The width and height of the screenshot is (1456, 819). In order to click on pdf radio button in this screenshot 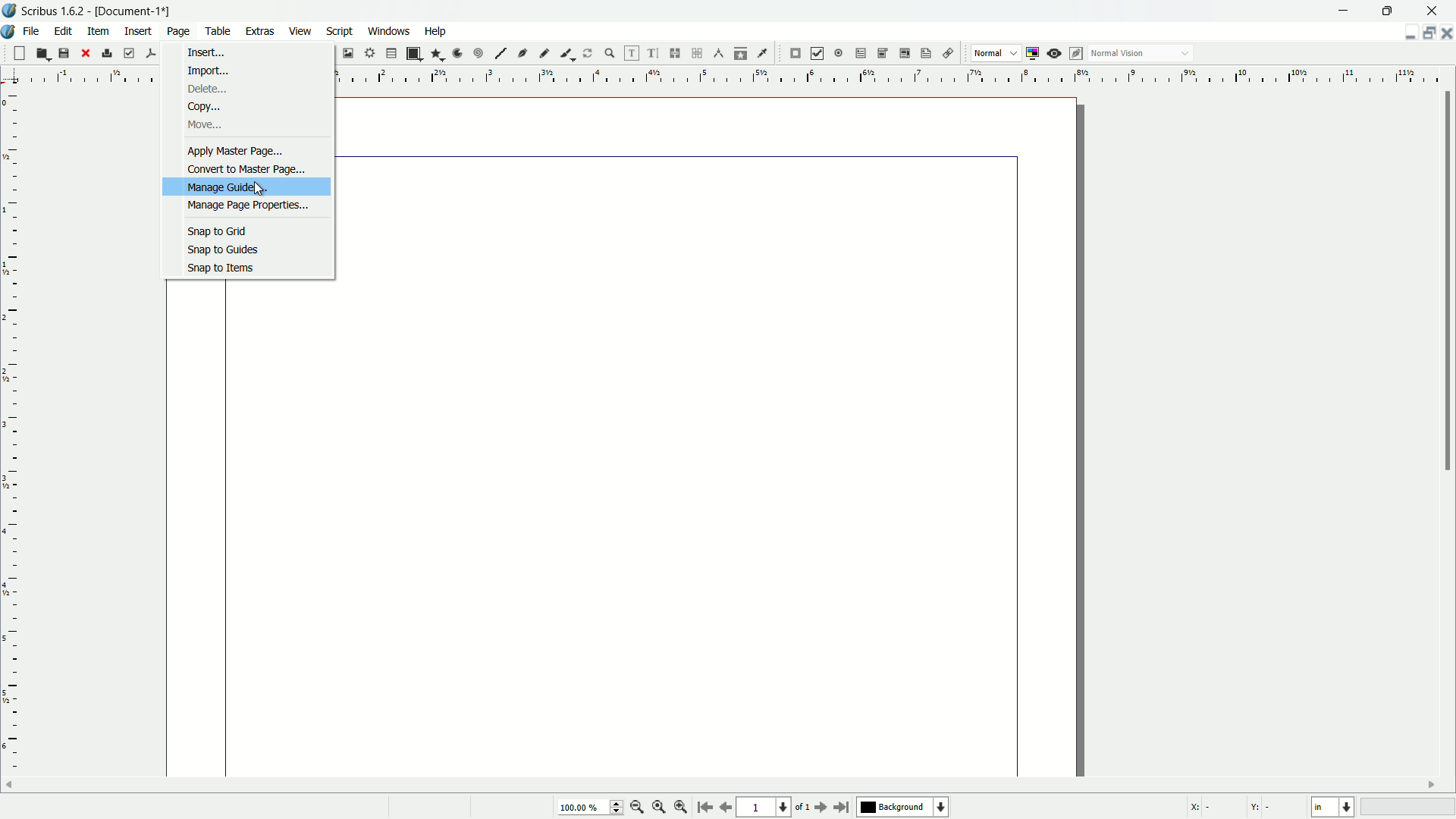, I will do `click(837, 54)`.